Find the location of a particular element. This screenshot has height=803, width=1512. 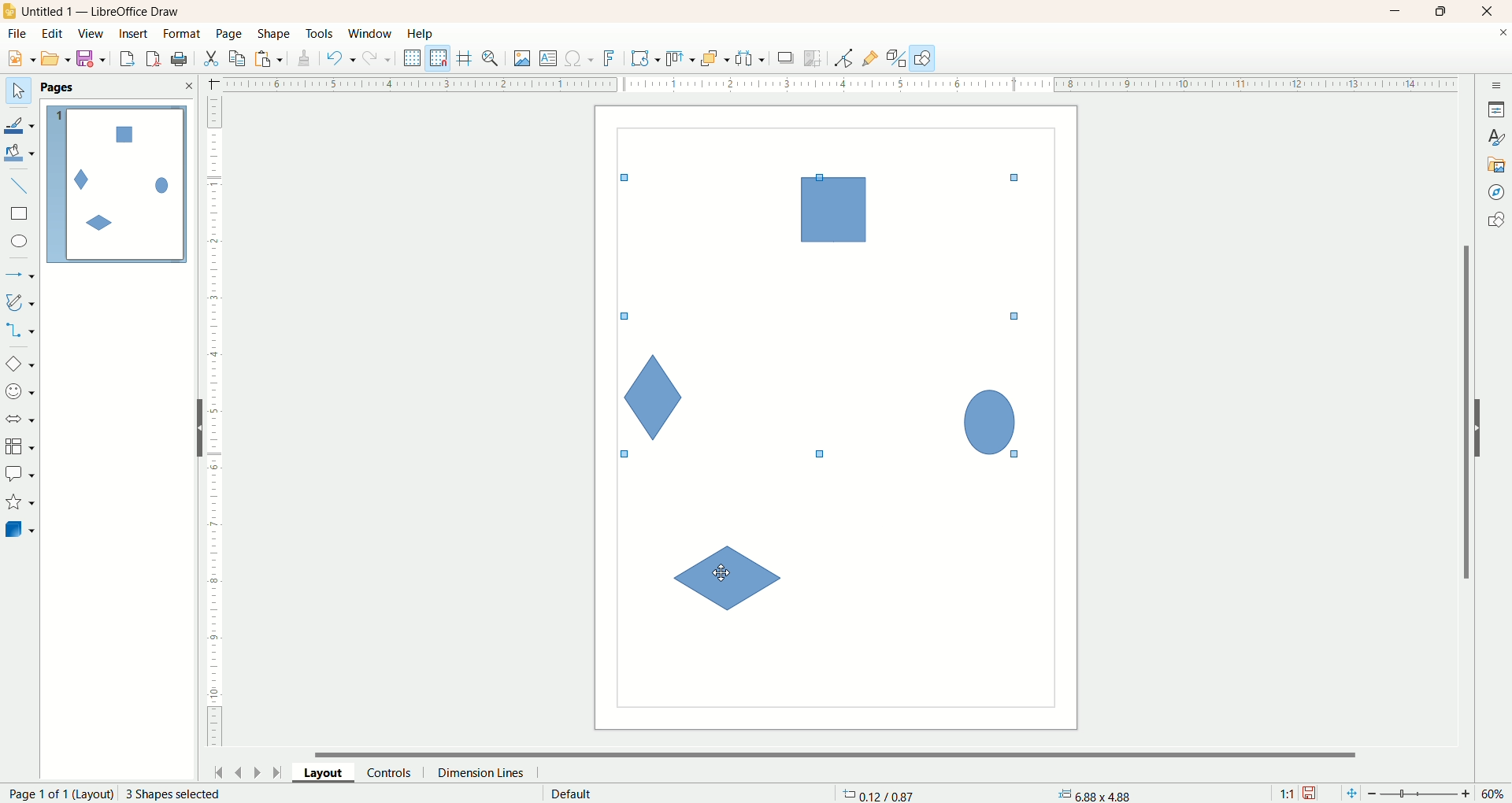

scale bar is located at coordinates (829, 83).